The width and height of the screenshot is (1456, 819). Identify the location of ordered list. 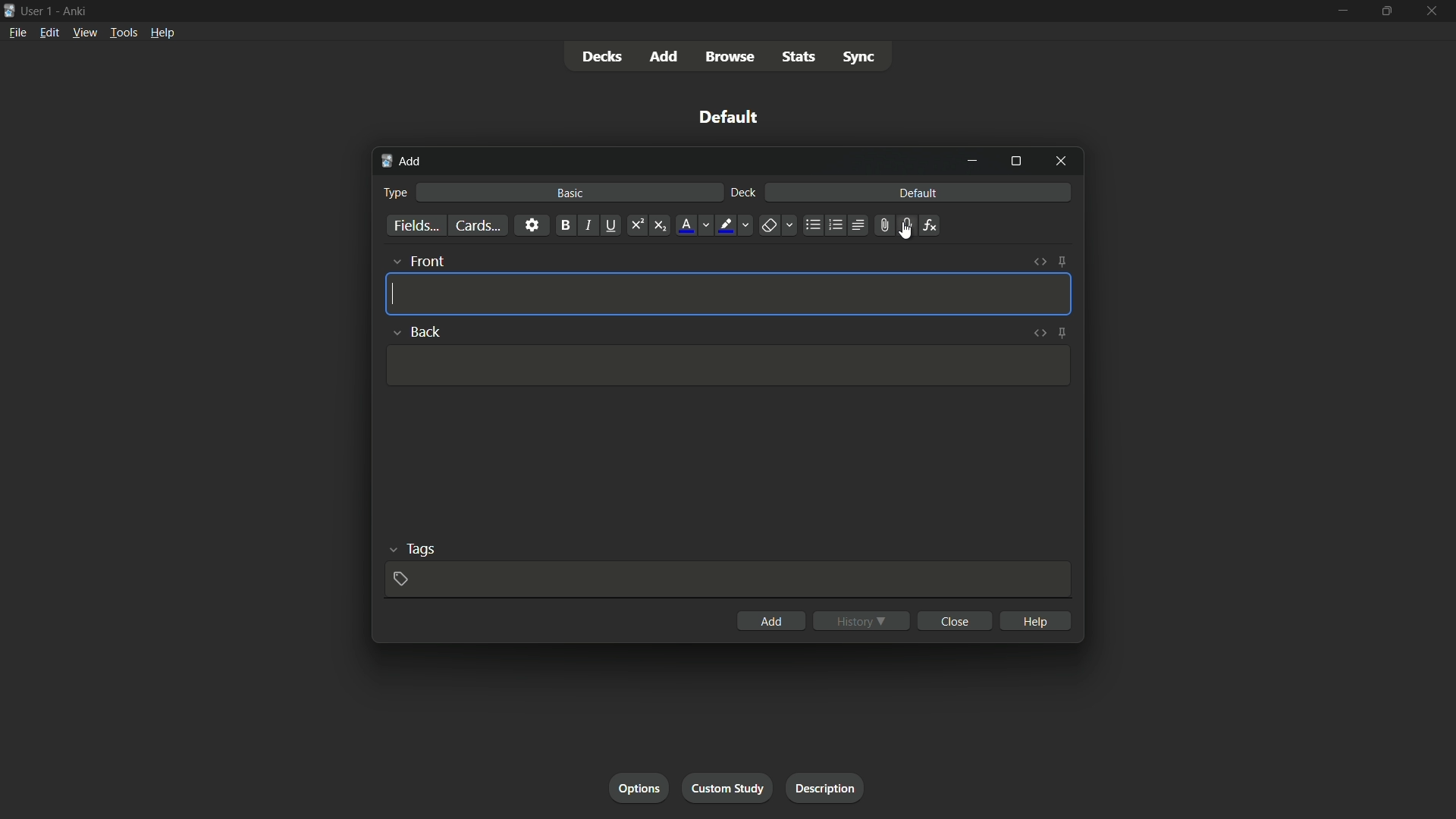
(834, 225).